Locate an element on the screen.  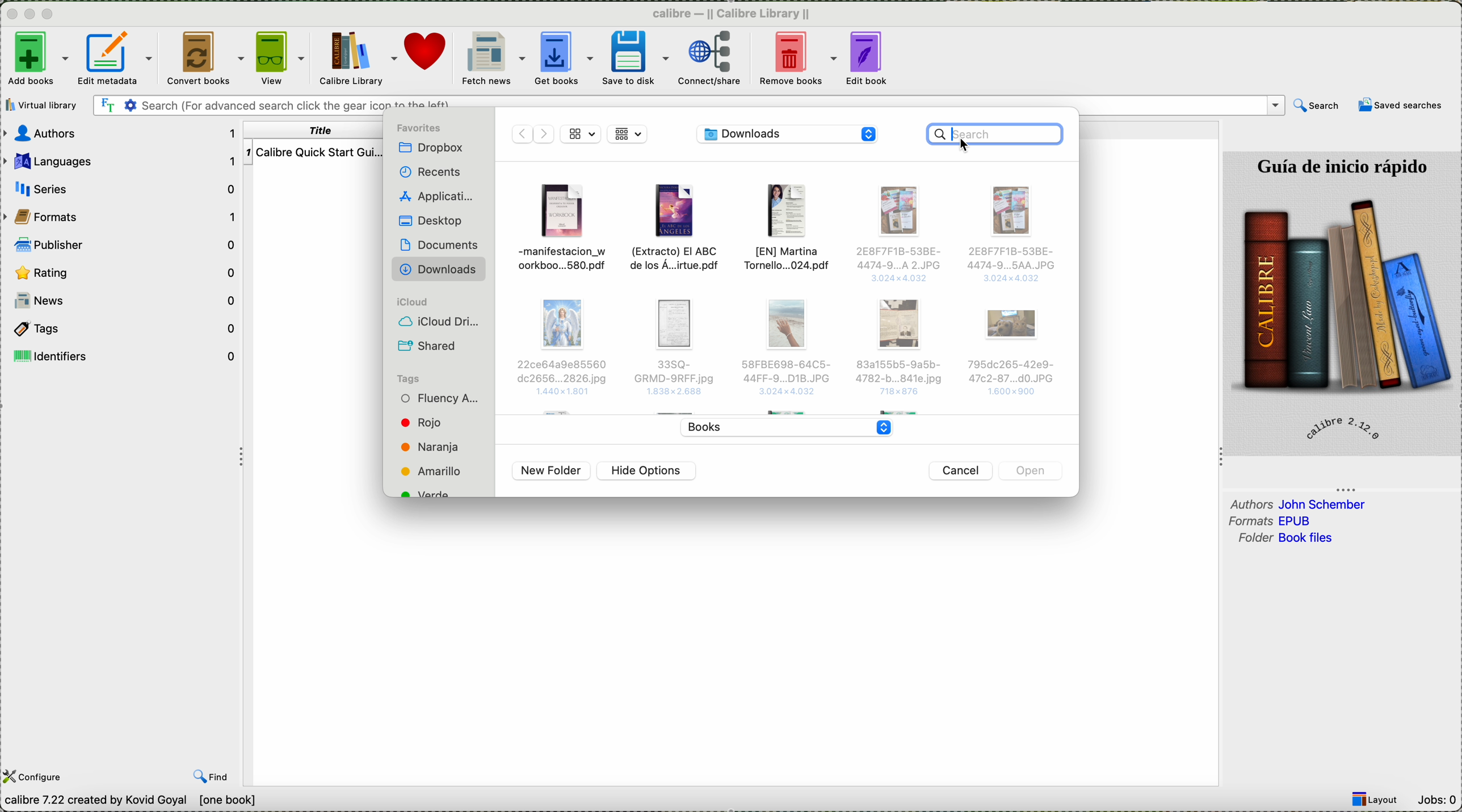
hide options is located at coordinates (647, 471).